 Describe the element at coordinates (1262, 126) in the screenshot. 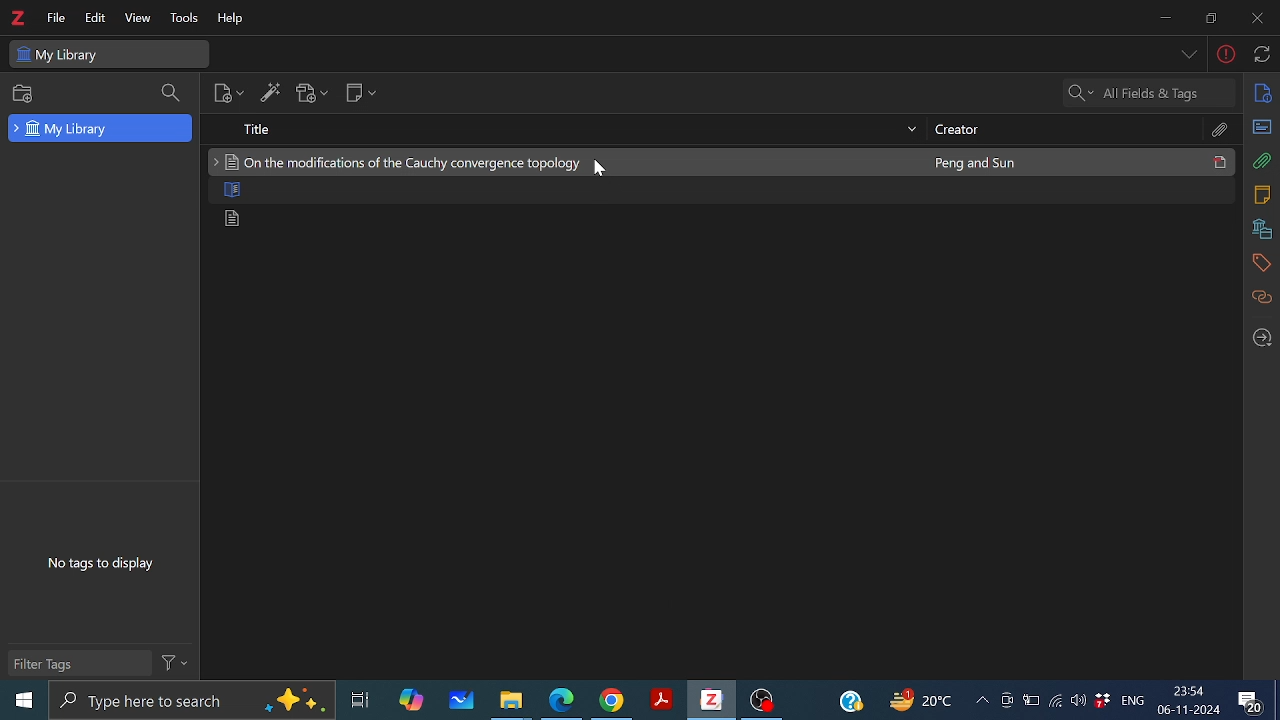

I see `Abstract` at that location.